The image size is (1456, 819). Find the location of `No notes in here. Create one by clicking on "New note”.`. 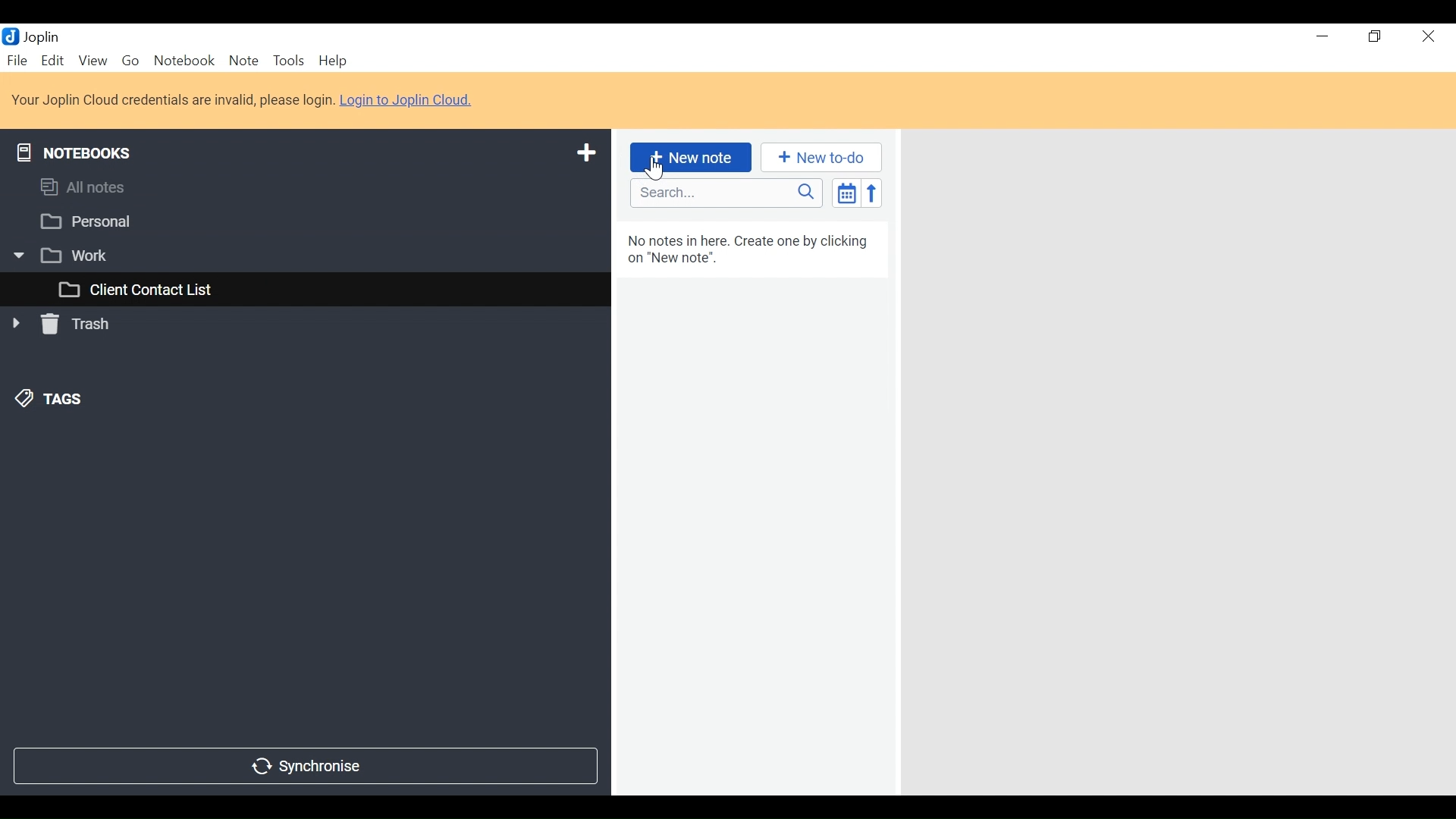

No notes in here. Create one by clicking on "New note”. is located at coordinates (752, 253).